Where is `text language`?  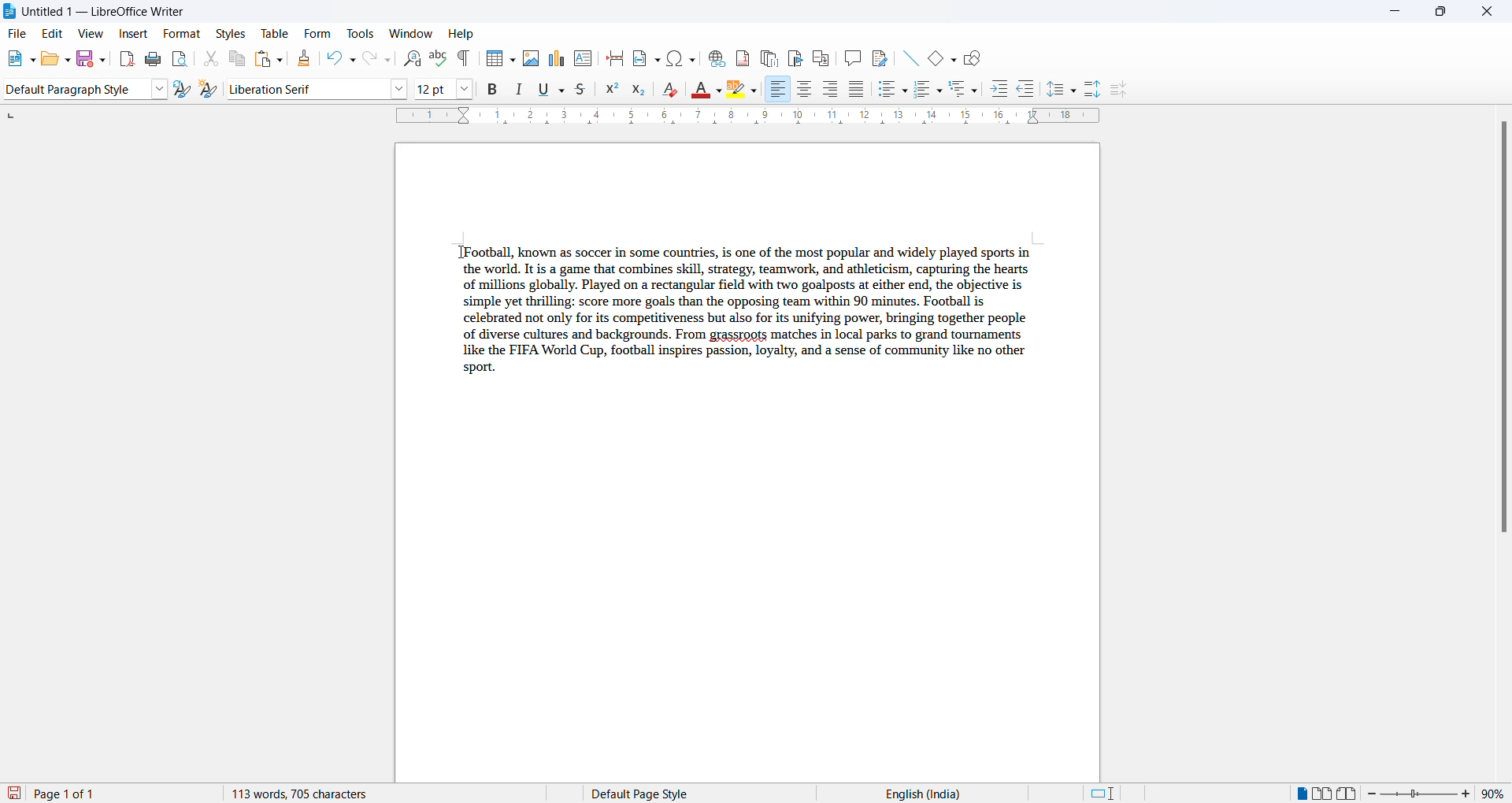 text language is located at coordinates (973, 794).